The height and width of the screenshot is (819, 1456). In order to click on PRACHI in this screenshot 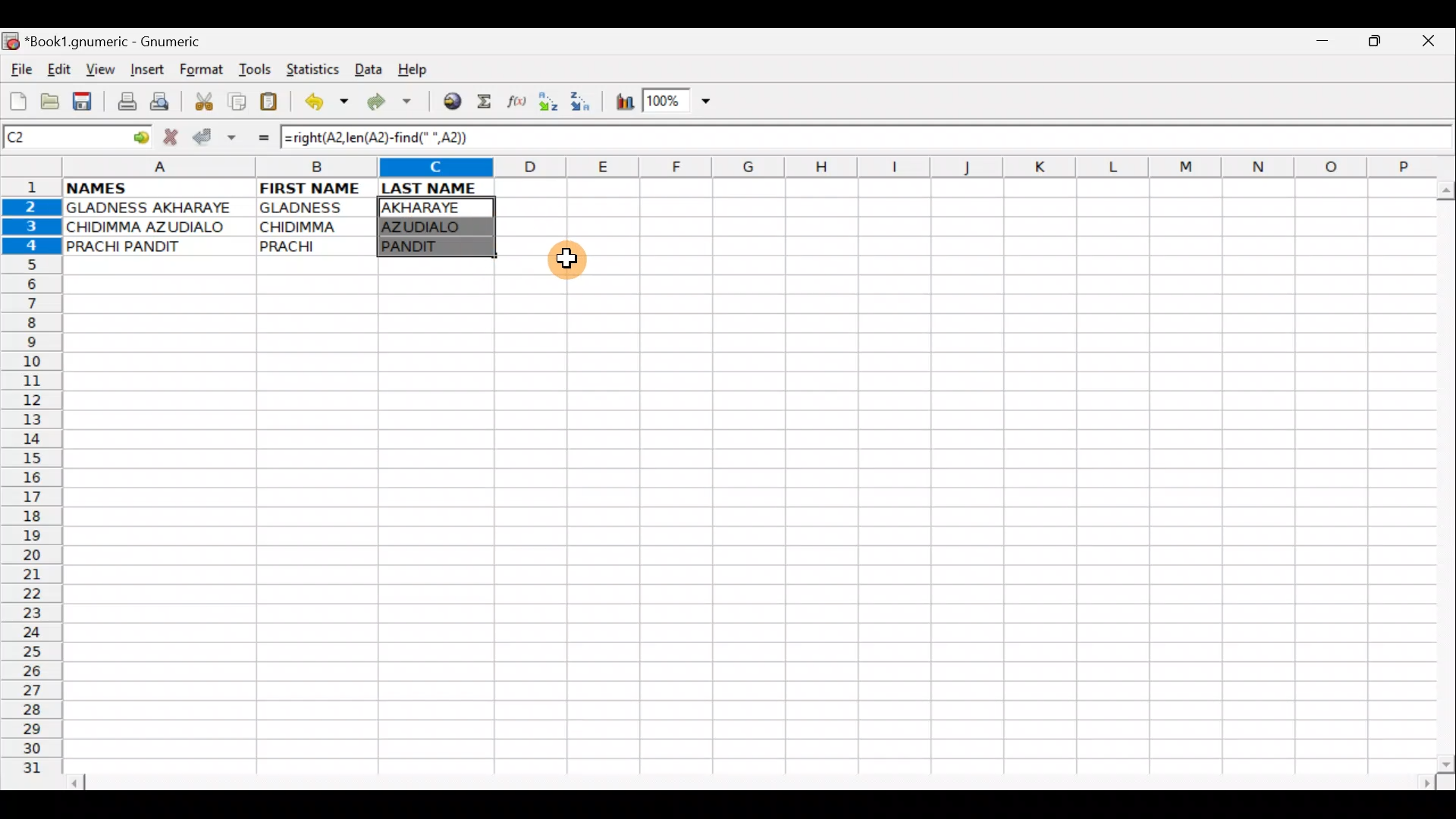, I will do `click(317, 243)`.